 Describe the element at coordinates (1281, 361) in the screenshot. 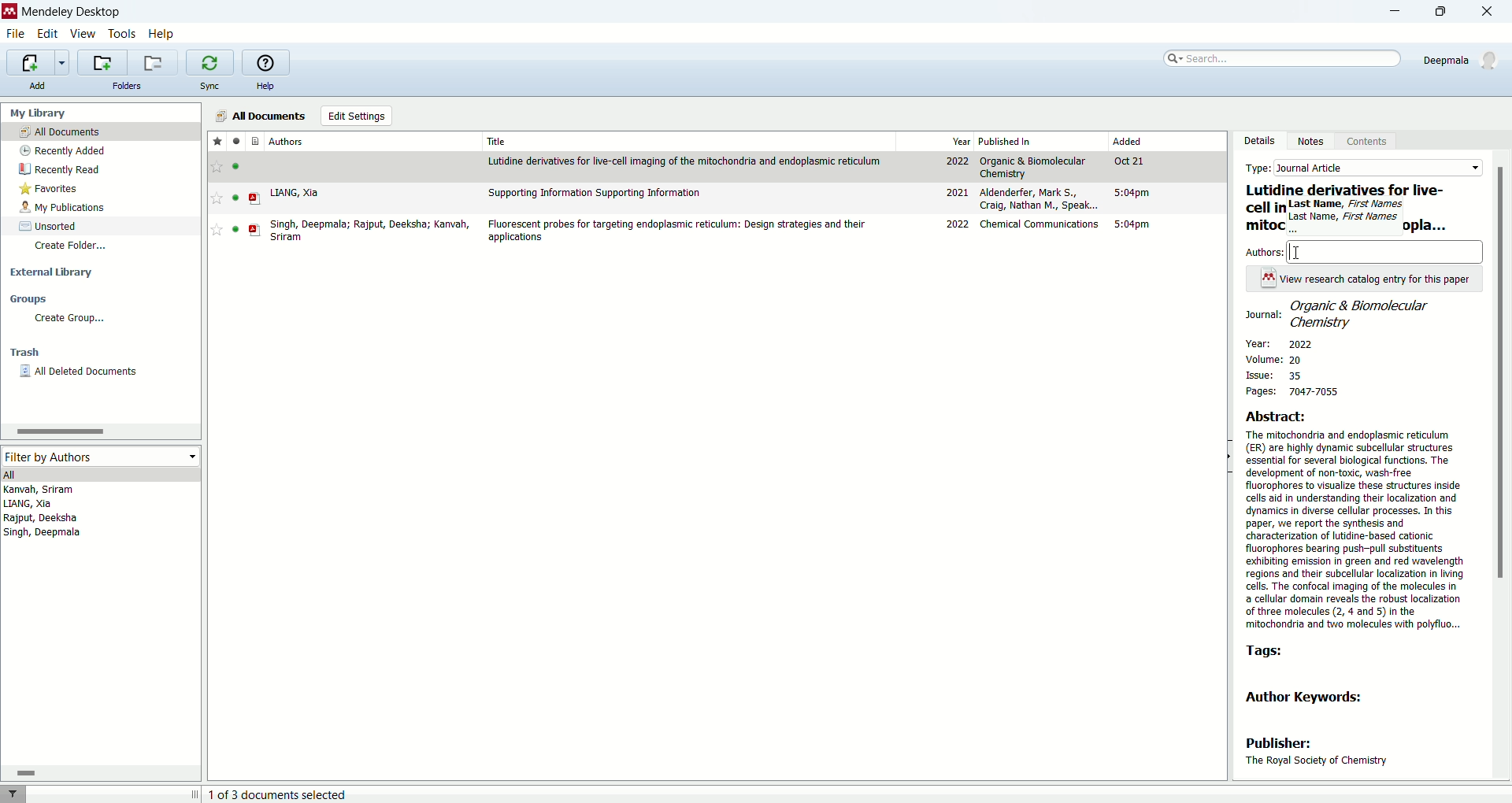

I see `volume: 20` at that location.